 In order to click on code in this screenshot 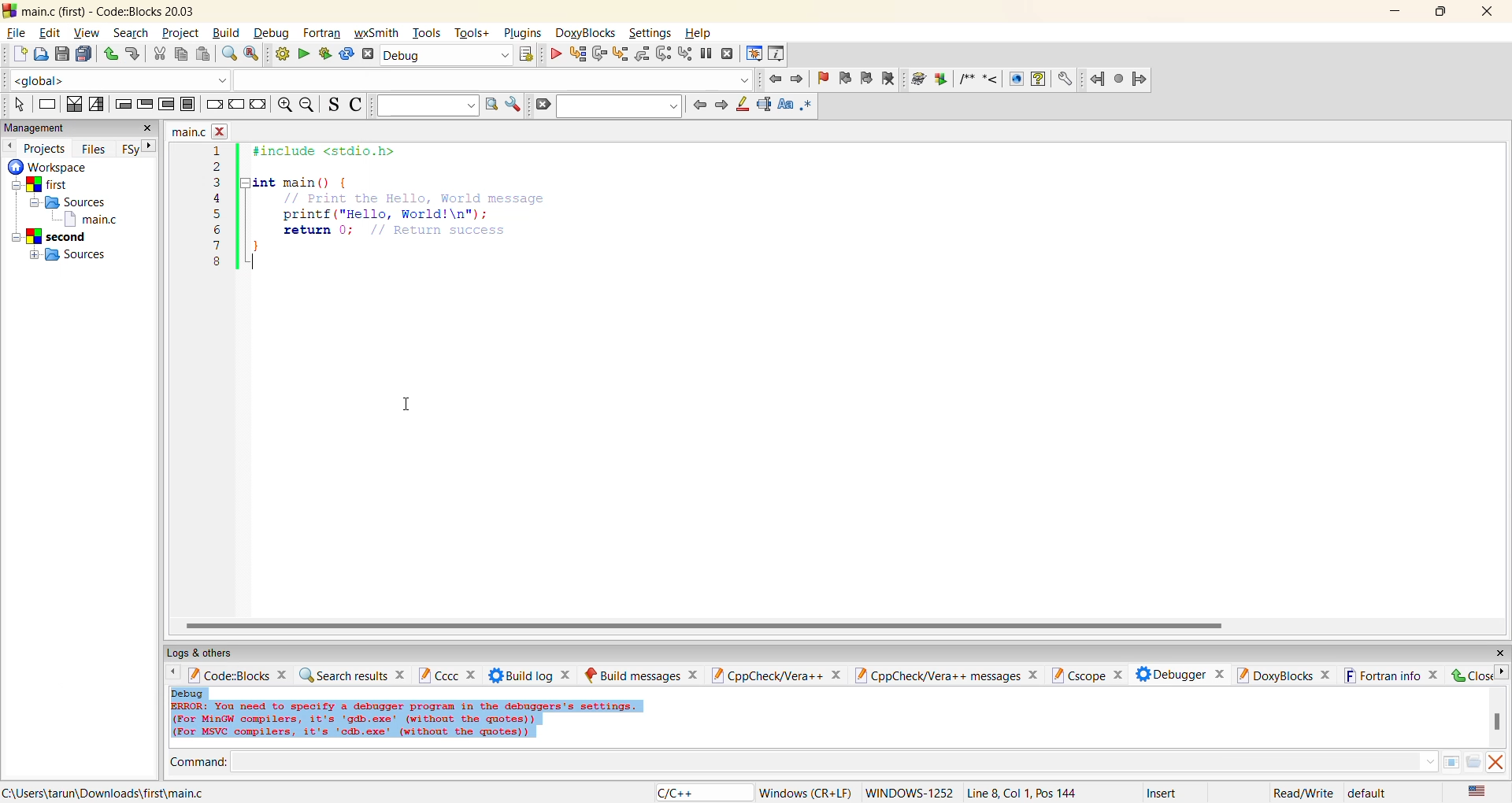, I will do `click(382, 206)`.